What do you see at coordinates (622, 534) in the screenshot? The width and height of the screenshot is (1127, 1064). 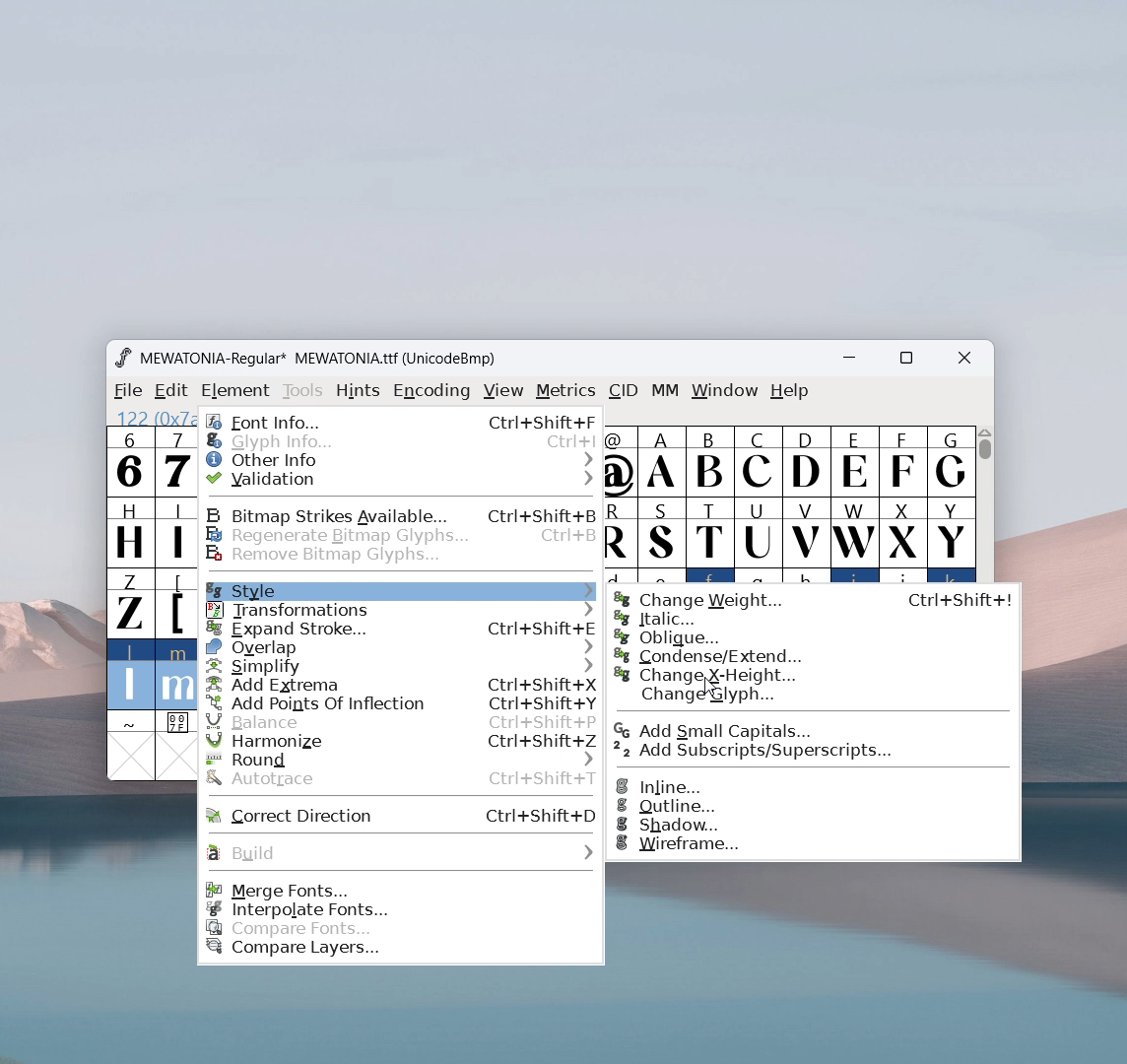 I see `R` at bounding box center [622, 534].